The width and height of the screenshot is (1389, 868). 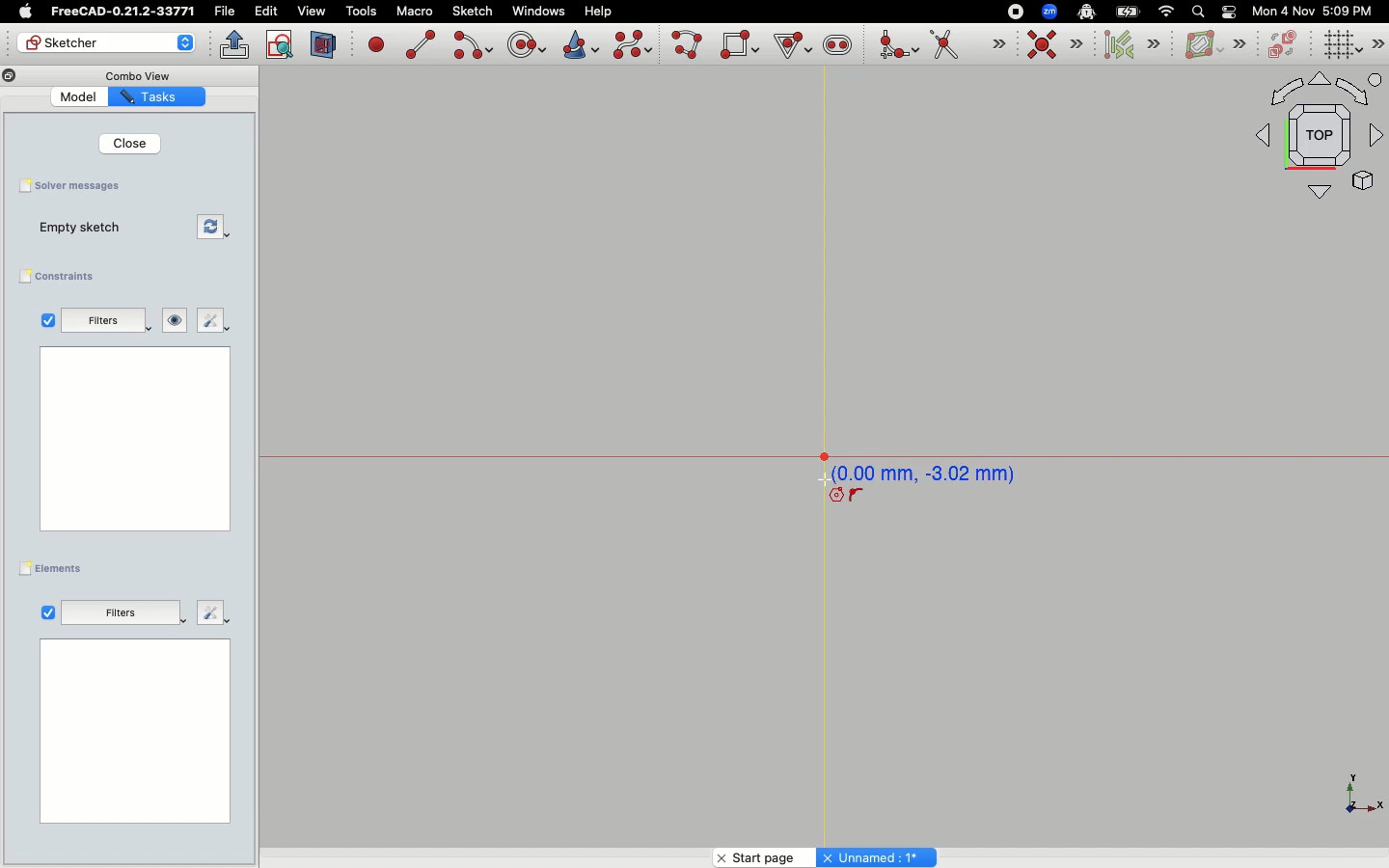 What do you see at coordinates (281, 45) in the screenshot?
I see `View sketch` at bounding box center [281, 45].